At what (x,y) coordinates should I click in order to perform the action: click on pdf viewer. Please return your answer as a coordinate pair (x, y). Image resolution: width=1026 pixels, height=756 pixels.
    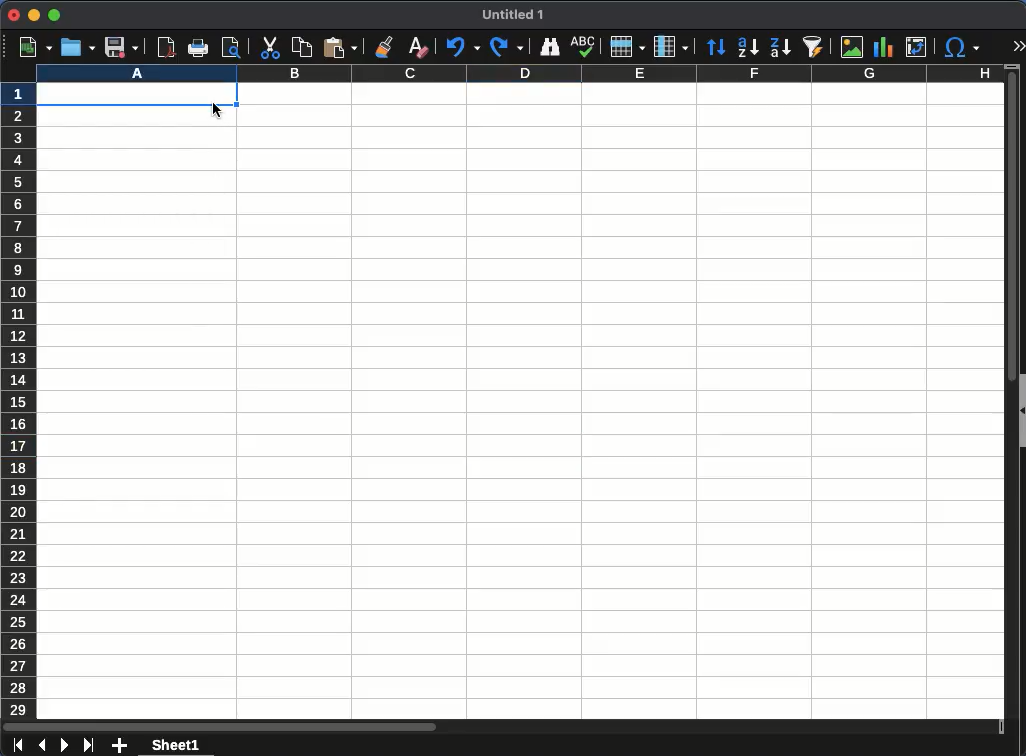
    Looking at the image, I should click on (167, 48).